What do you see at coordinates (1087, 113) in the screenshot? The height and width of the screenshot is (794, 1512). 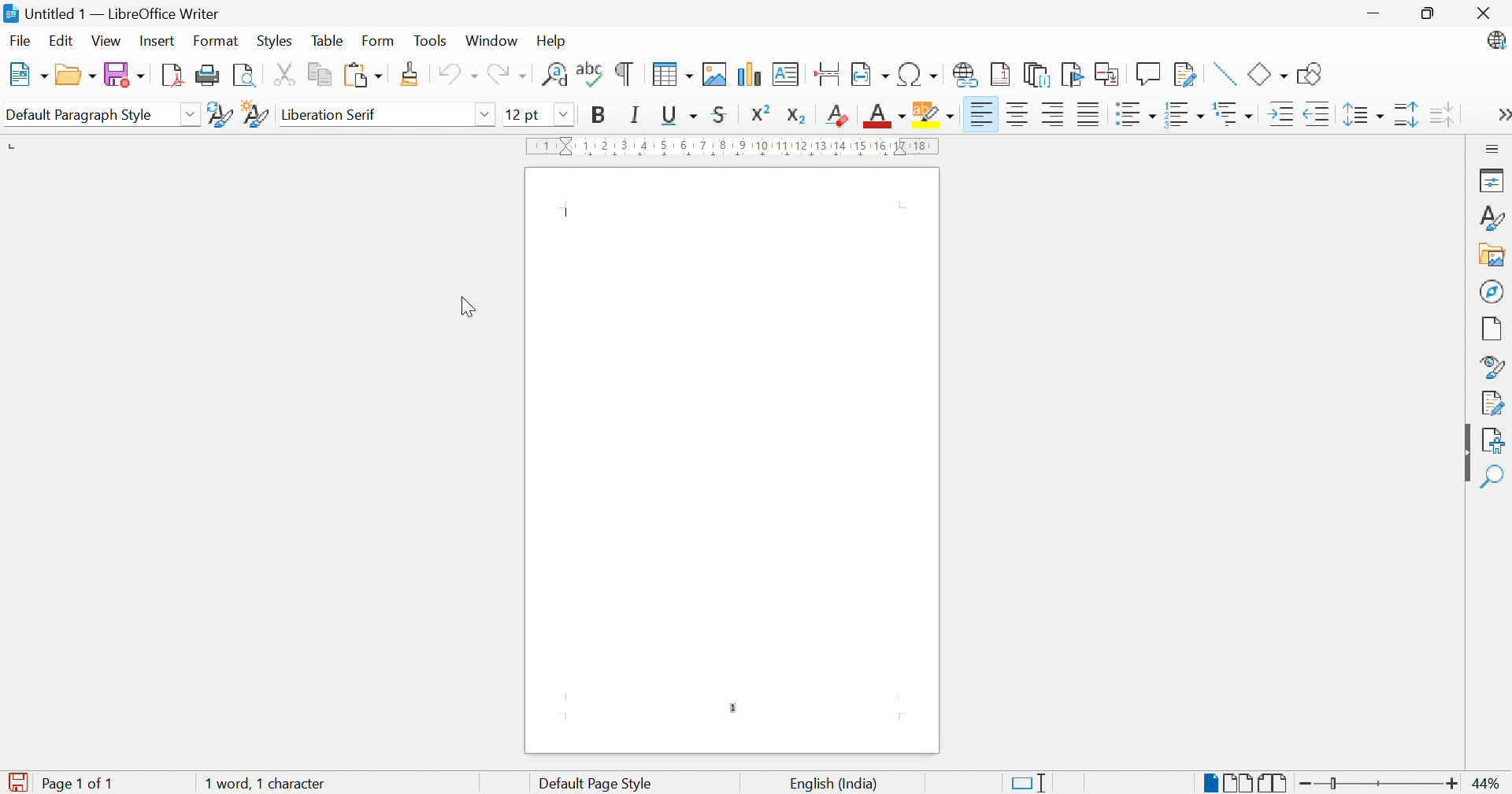 I see `Justified` at bounding box center [1087, 113].